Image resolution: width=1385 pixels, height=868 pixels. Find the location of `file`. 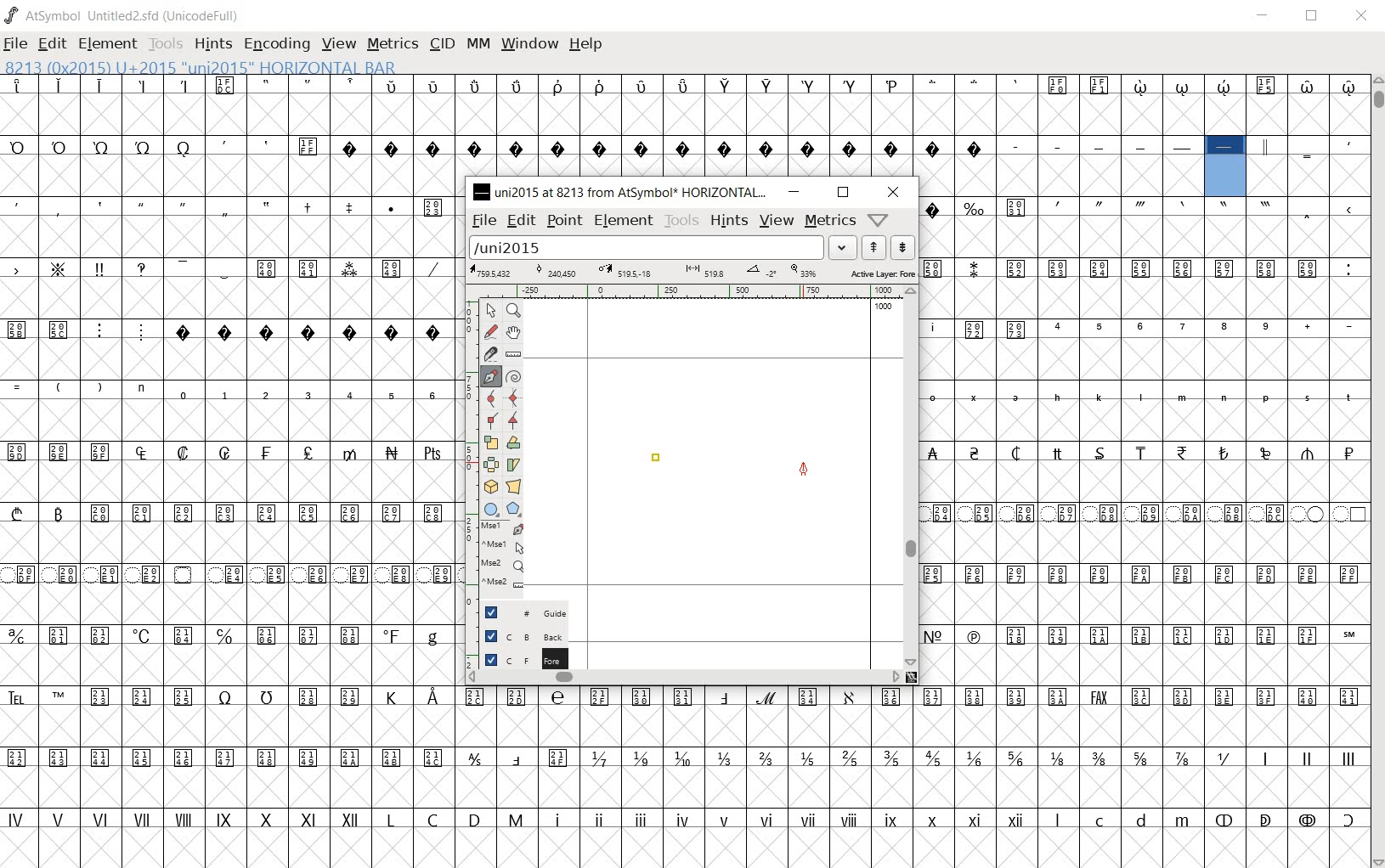

file is located at coordinates (483, 222).